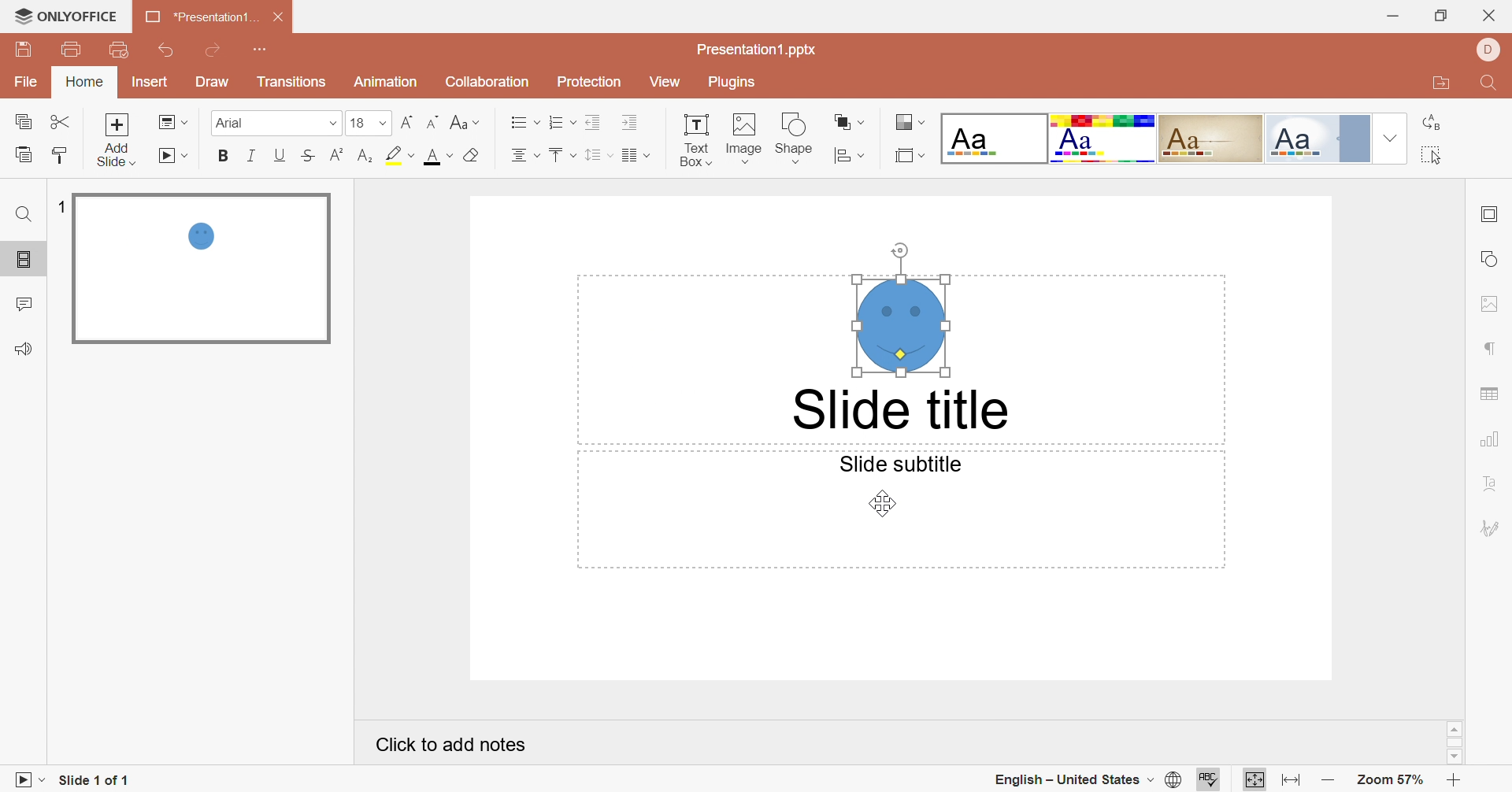  I want to click on ONLYOFFICE, so click(67, 17).